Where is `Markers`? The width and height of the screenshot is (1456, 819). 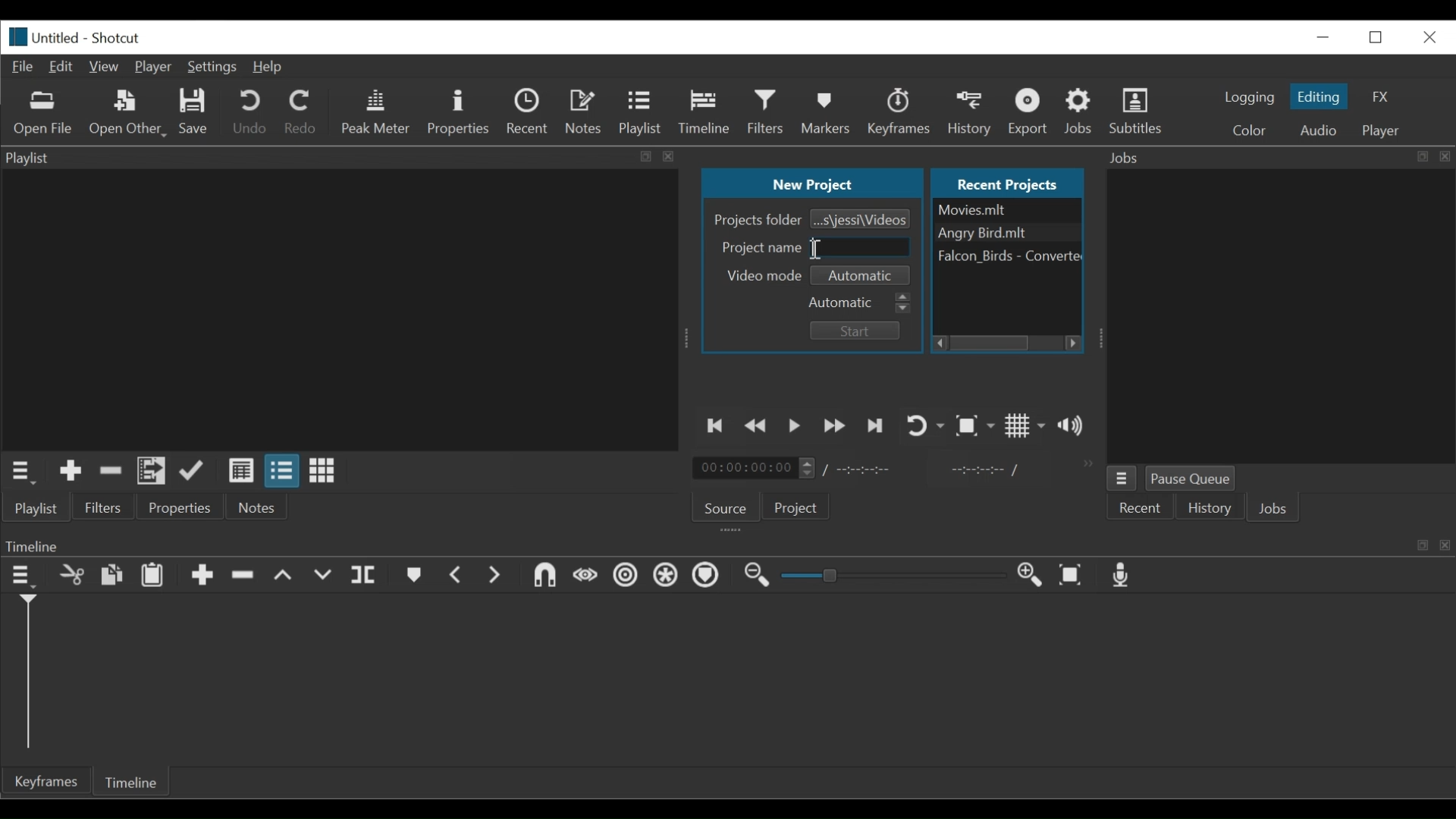
Markers is located at coordinates (413, 574).